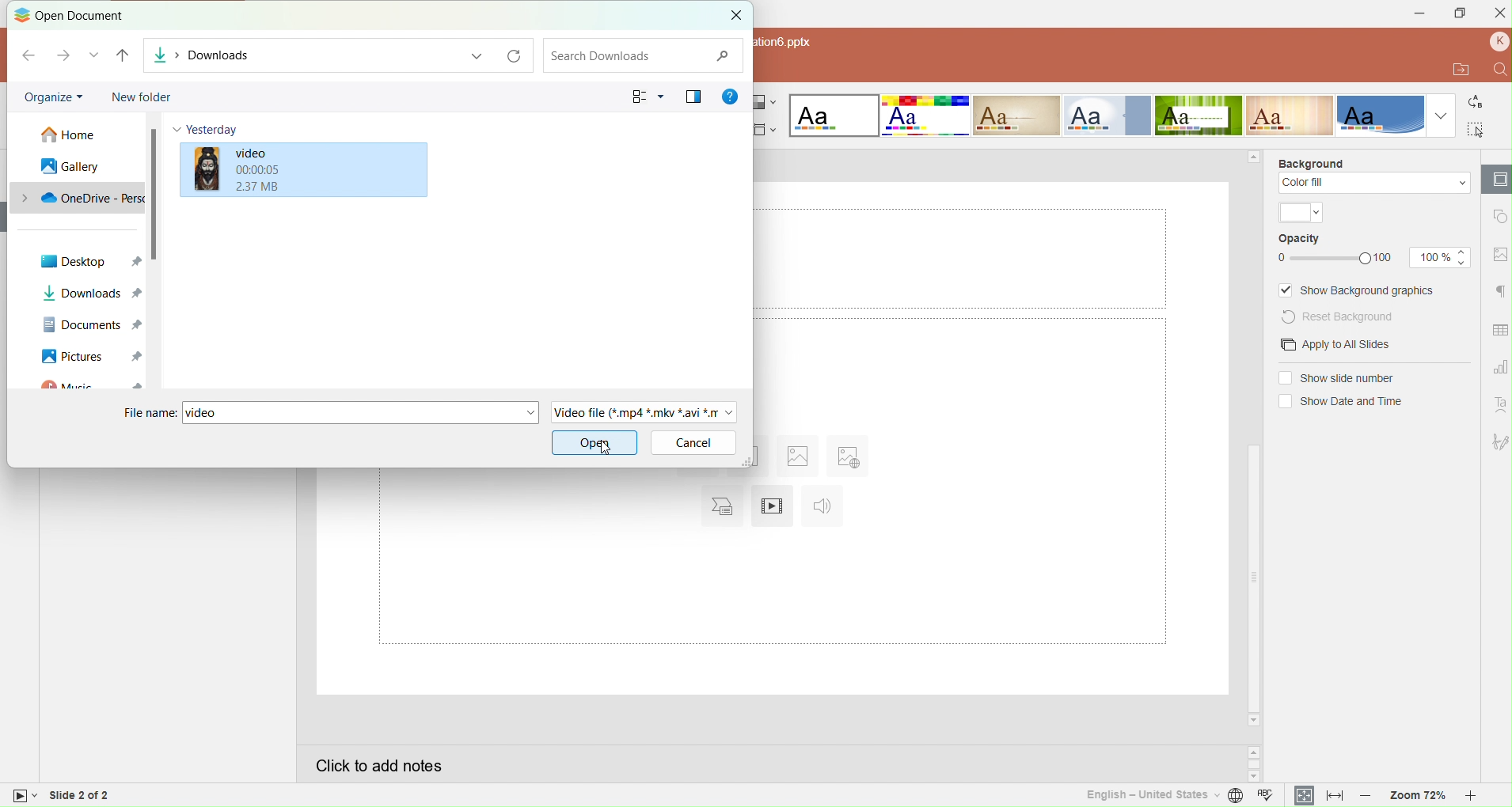 This screenshot has width=1512, height=807. What do you see at coordinates (1339, 316) in the screenshot?
I see `Reset background` at bounding box center [1339, 316].